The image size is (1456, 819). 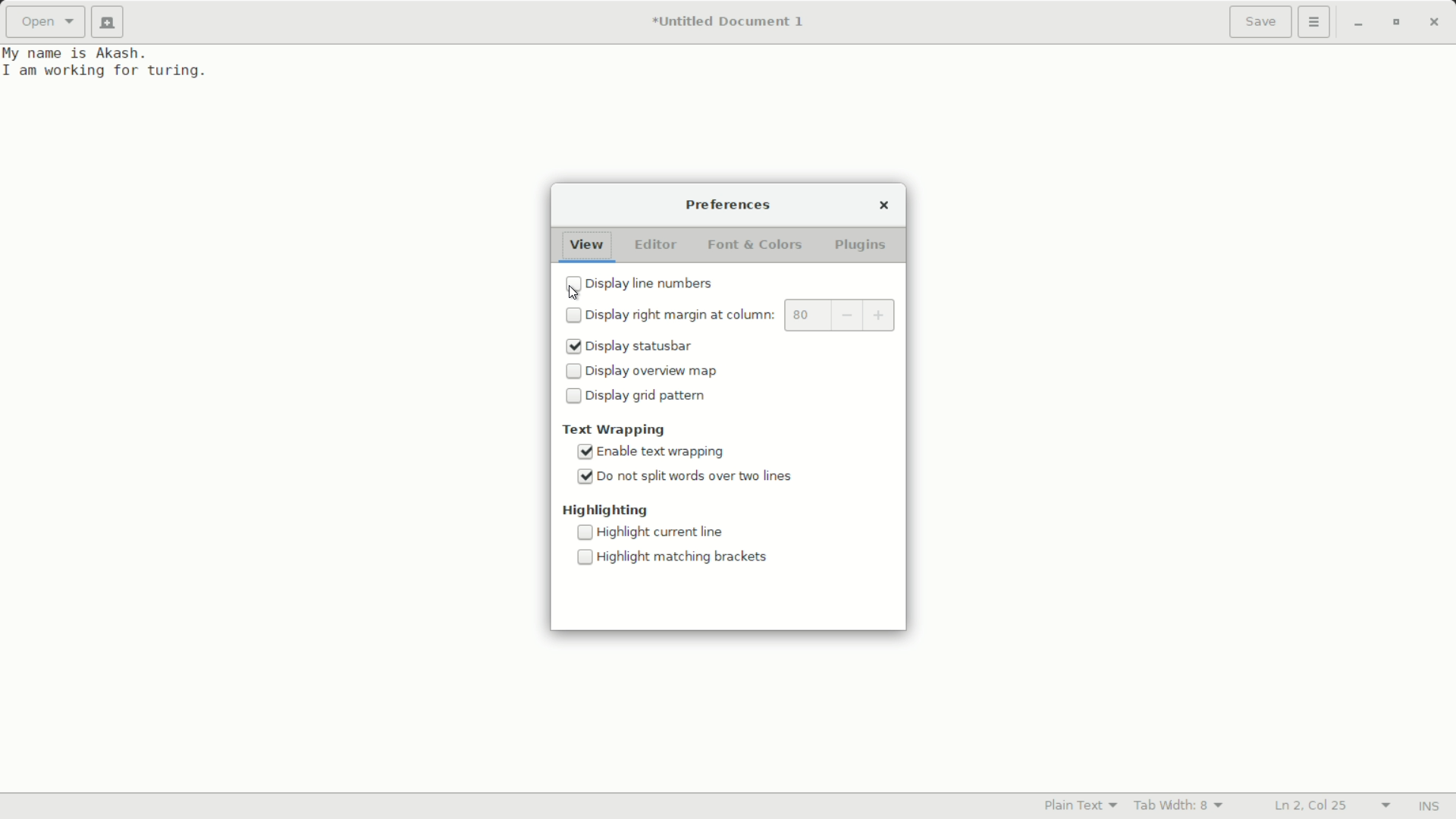 I want to click on checkbox, so click(x=573, y=284).